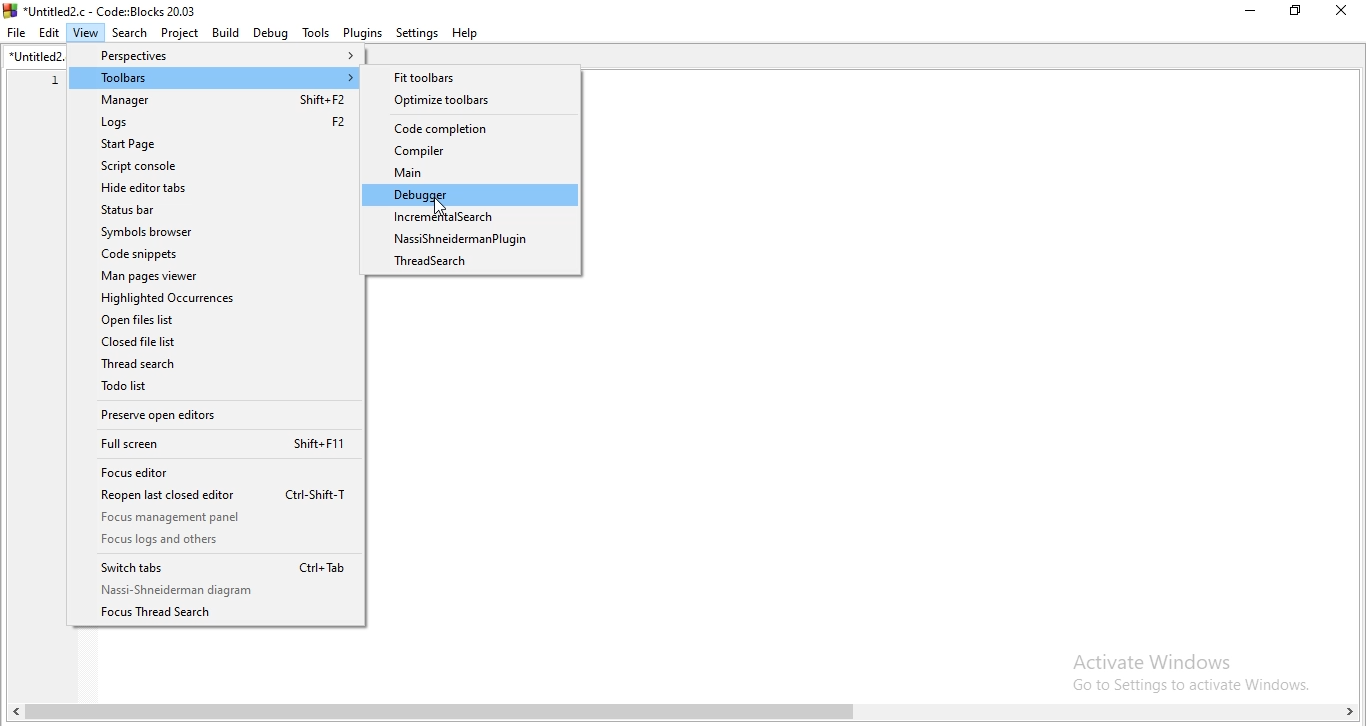 The width and height of the screenshot is (1366, 726). I want to click on View , so click(81, 34).